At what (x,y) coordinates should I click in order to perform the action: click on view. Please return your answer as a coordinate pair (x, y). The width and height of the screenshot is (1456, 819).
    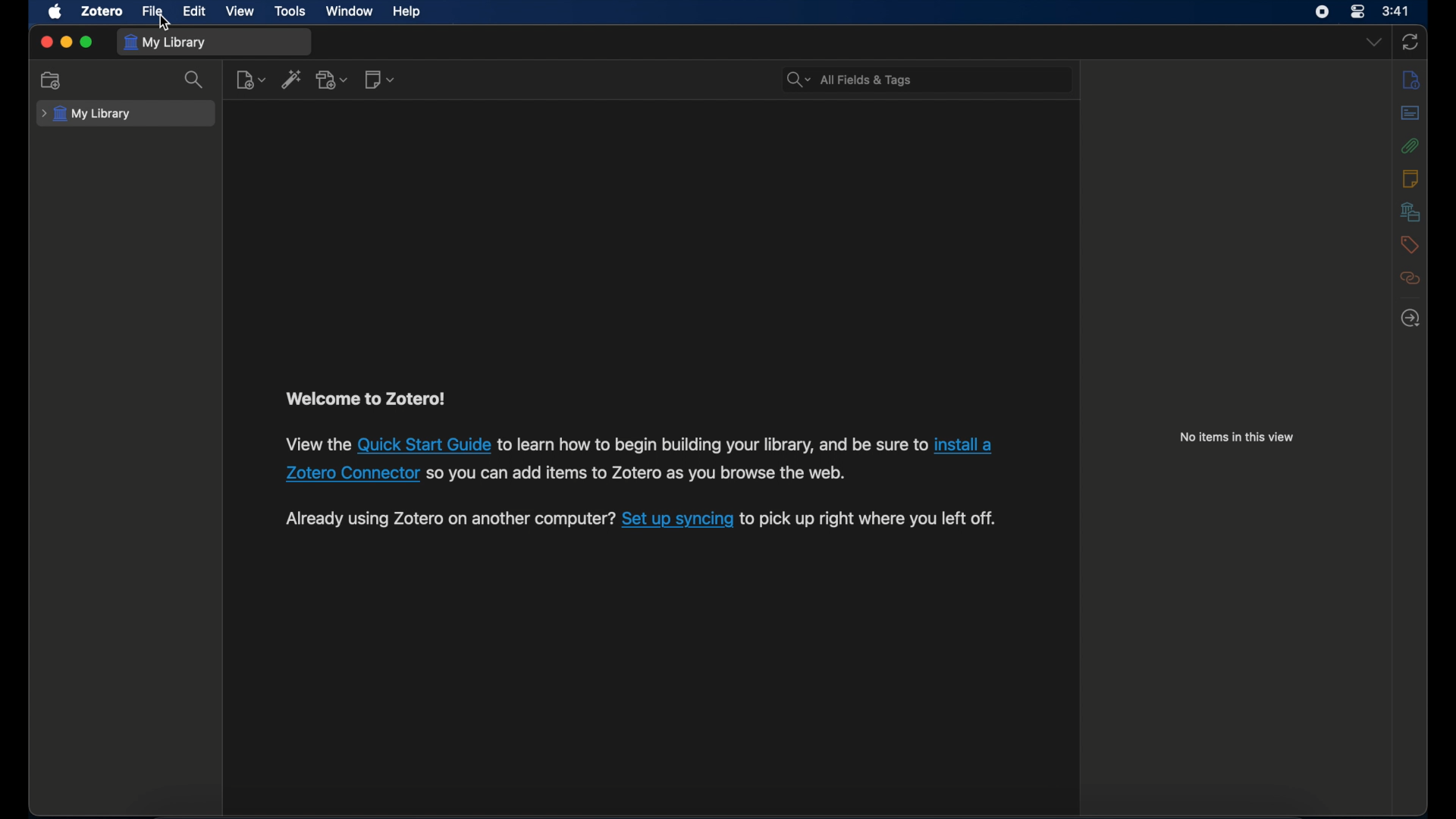
    Looking at the image, I should click on (240, 11).